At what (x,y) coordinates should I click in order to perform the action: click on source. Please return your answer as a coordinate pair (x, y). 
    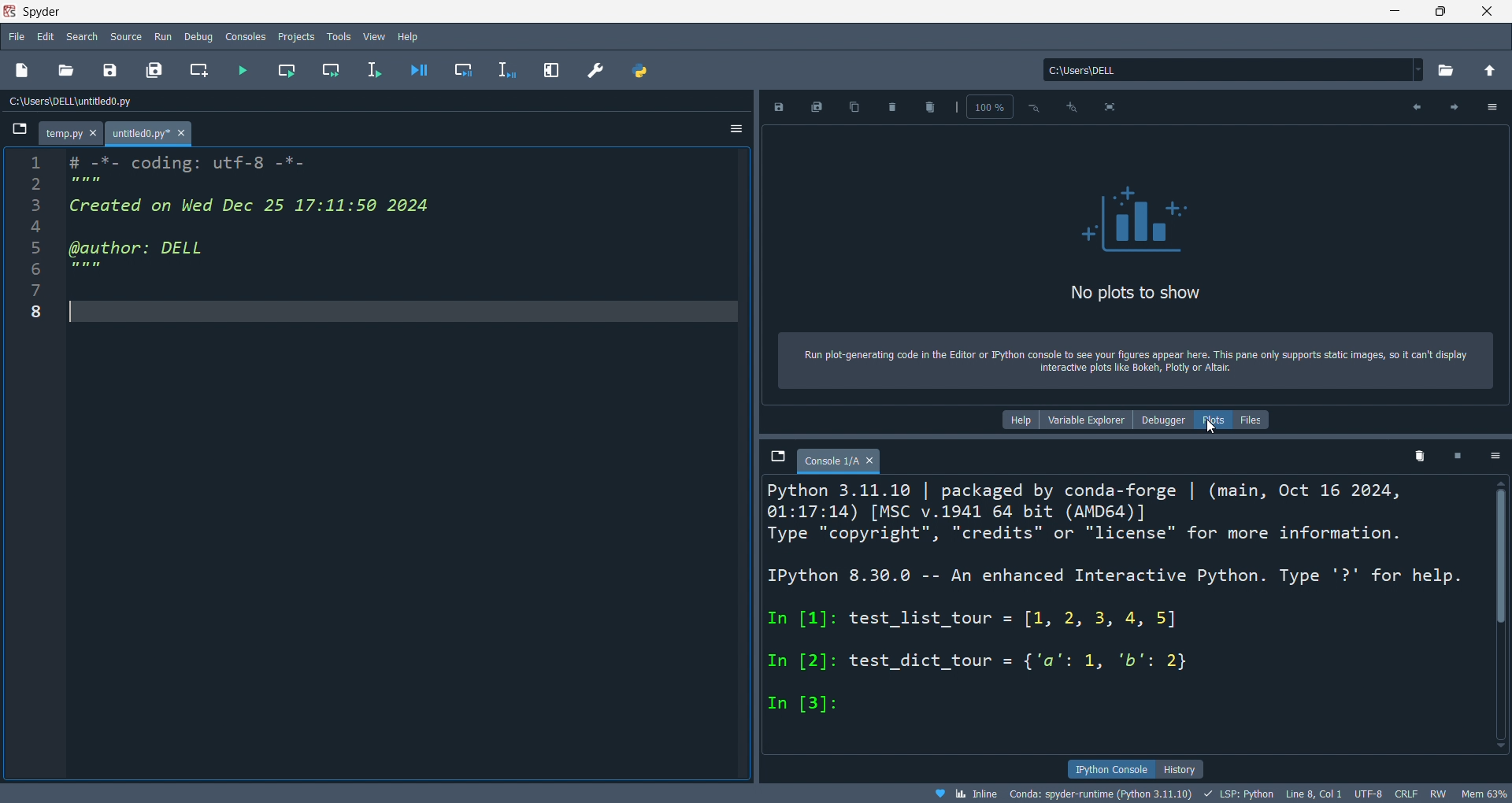
    Looking at the image, I should click on (124, 37).